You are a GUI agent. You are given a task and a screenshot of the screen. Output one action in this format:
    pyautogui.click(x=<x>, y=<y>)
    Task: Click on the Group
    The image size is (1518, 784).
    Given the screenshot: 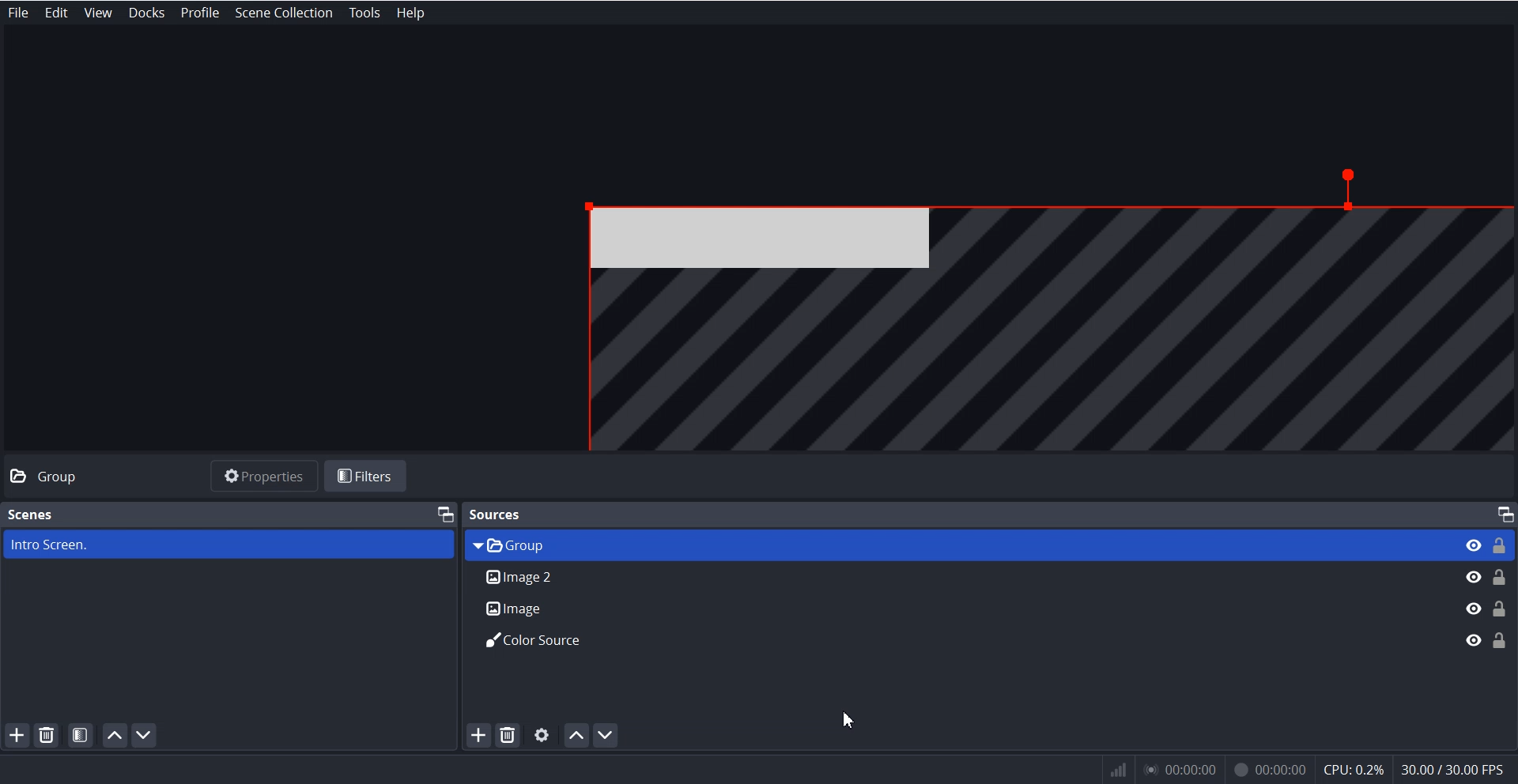 What is the action you would take?
    pyautogui.click(x=69, y=477)
    